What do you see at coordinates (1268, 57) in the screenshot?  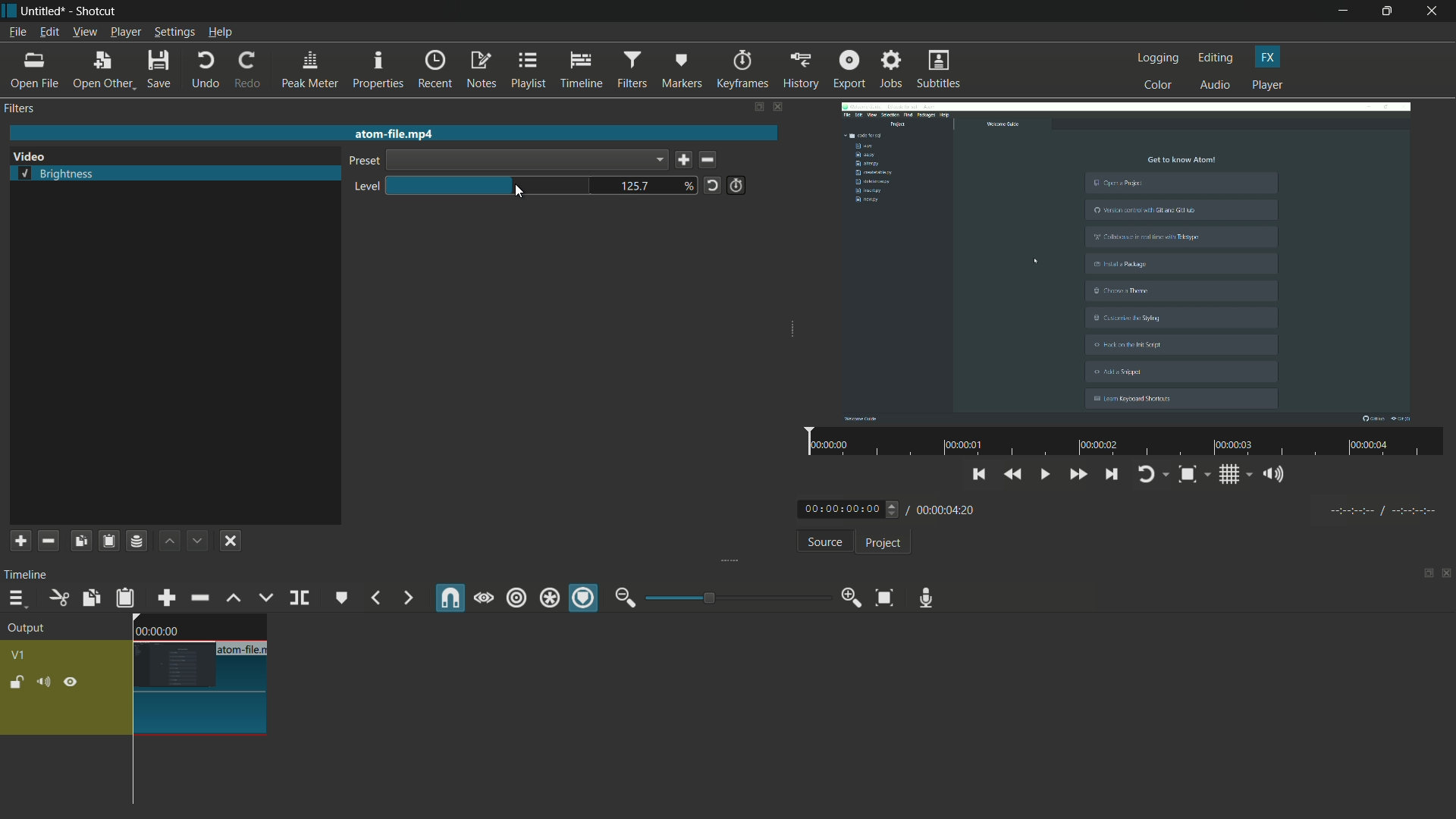 I see `fx` at bounding box center [1268, 57].